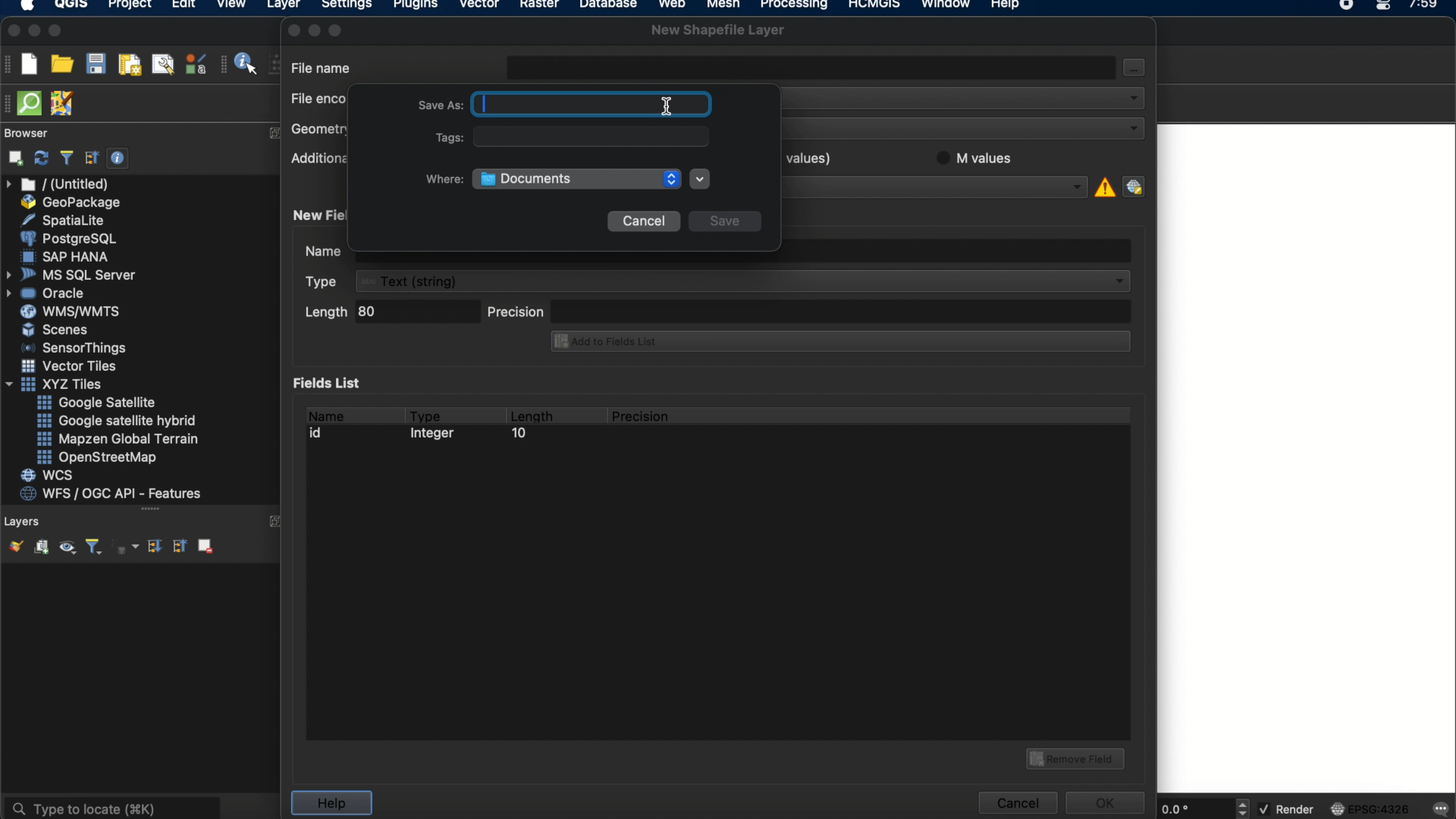 Image resolution: width=1456 pixels, height=819 pixels. Describe the element at coordinates (1439, 810) in the screenshot. I see `messages` at that location.